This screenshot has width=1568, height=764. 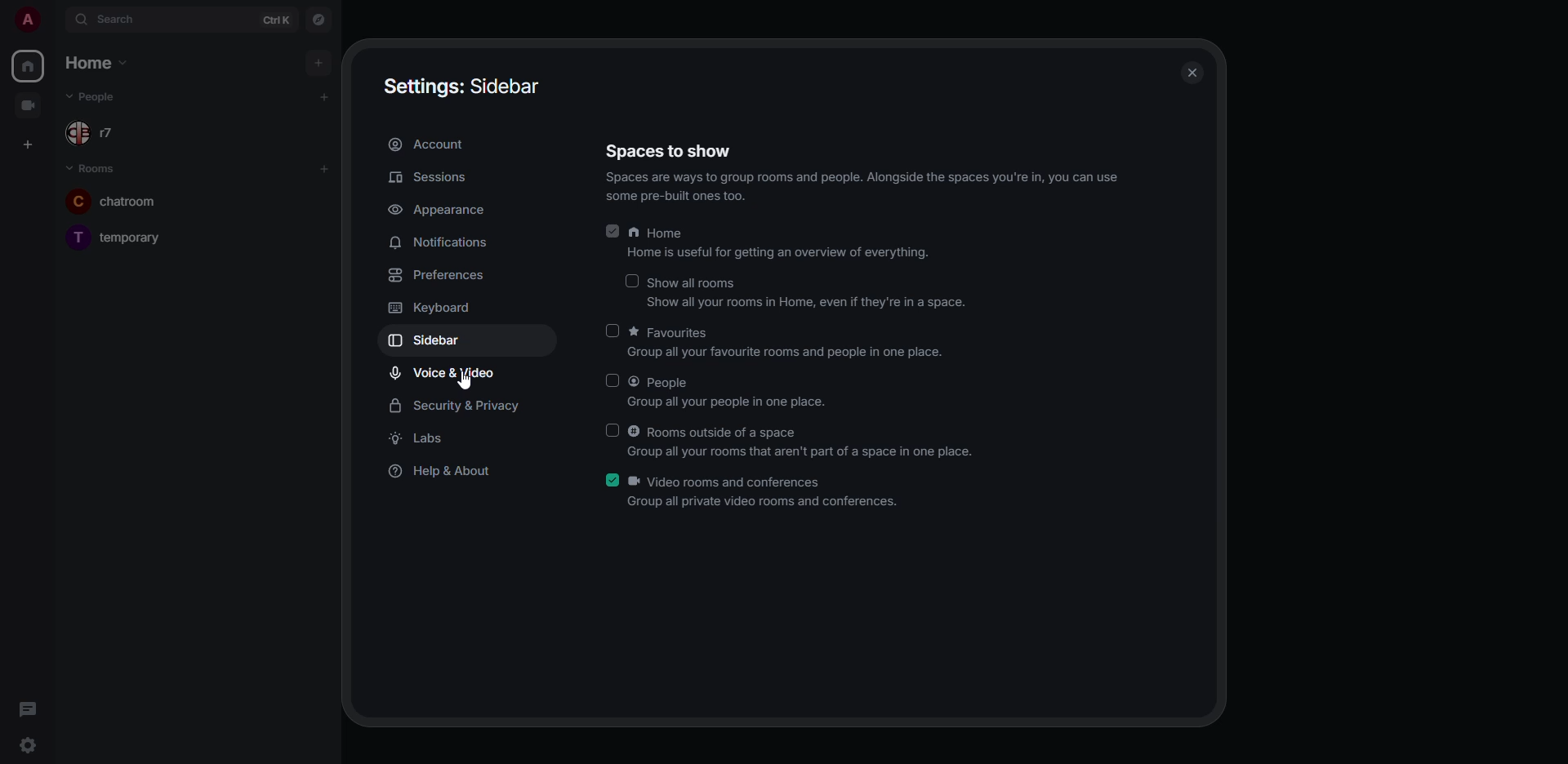 I want to click on show all rooms, so click(x=807, y=294).